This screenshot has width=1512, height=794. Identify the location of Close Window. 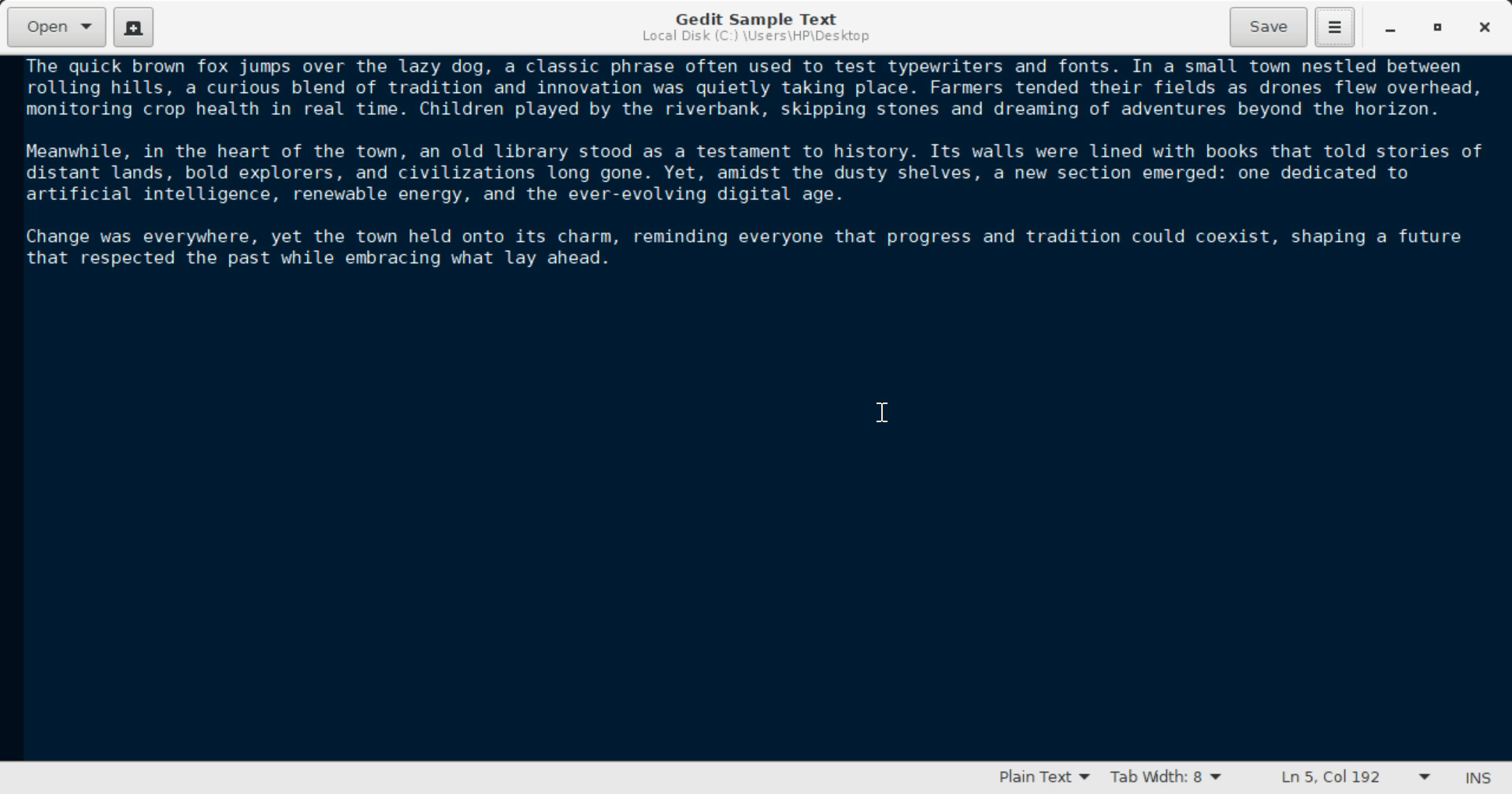
(1483, 28).